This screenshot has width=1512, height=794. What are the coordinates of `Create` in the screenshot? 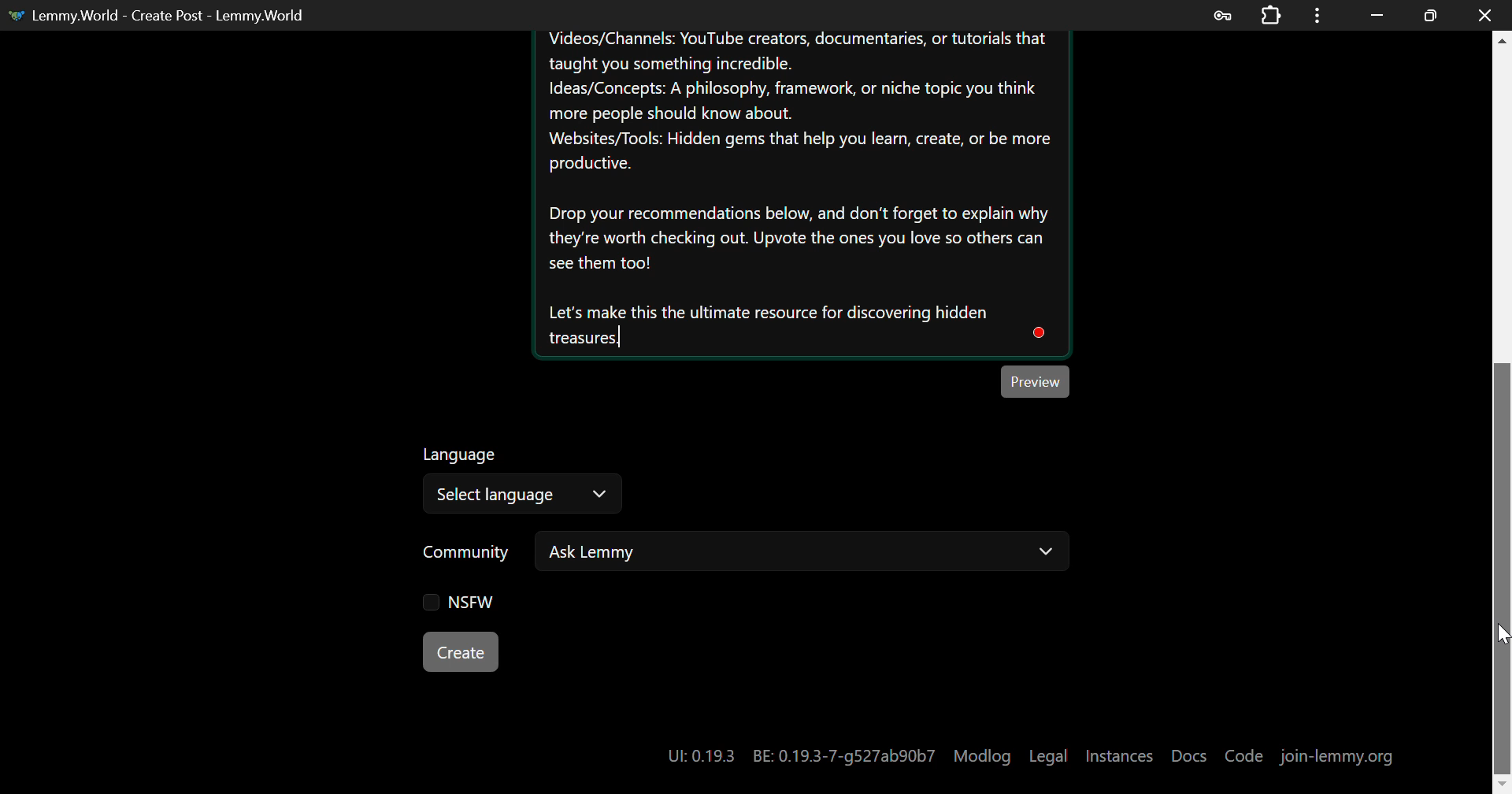 It's located at (461, 651).